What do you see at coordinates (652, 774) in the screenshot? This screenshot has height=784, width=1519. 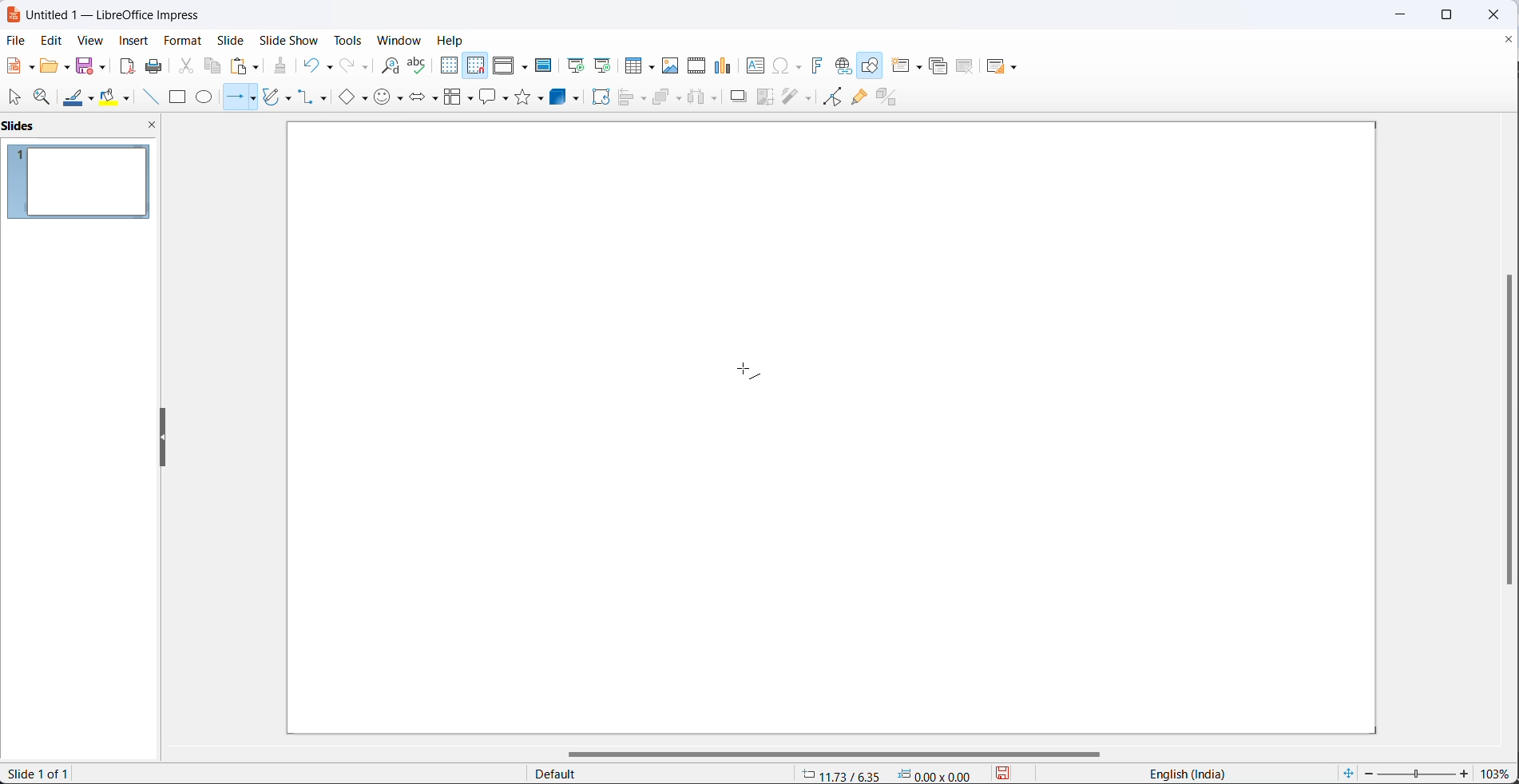 I see `default page style` at bounding box center [652, 774].